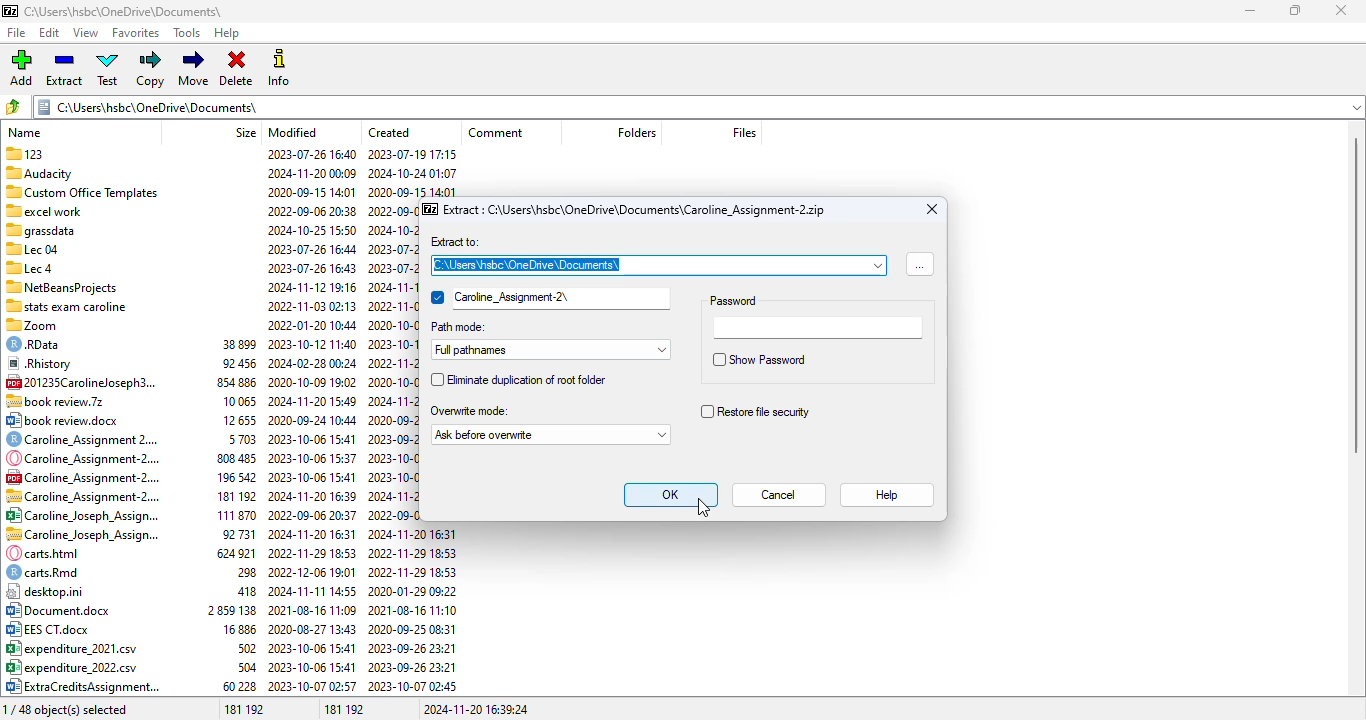 This screenshot has width=1366, height=720. Describe the element at coordinates (212, 345) in the screenshot. I see `() RData 38899 2023-10-12 11:40 2023-10-12 11:40` at that location.